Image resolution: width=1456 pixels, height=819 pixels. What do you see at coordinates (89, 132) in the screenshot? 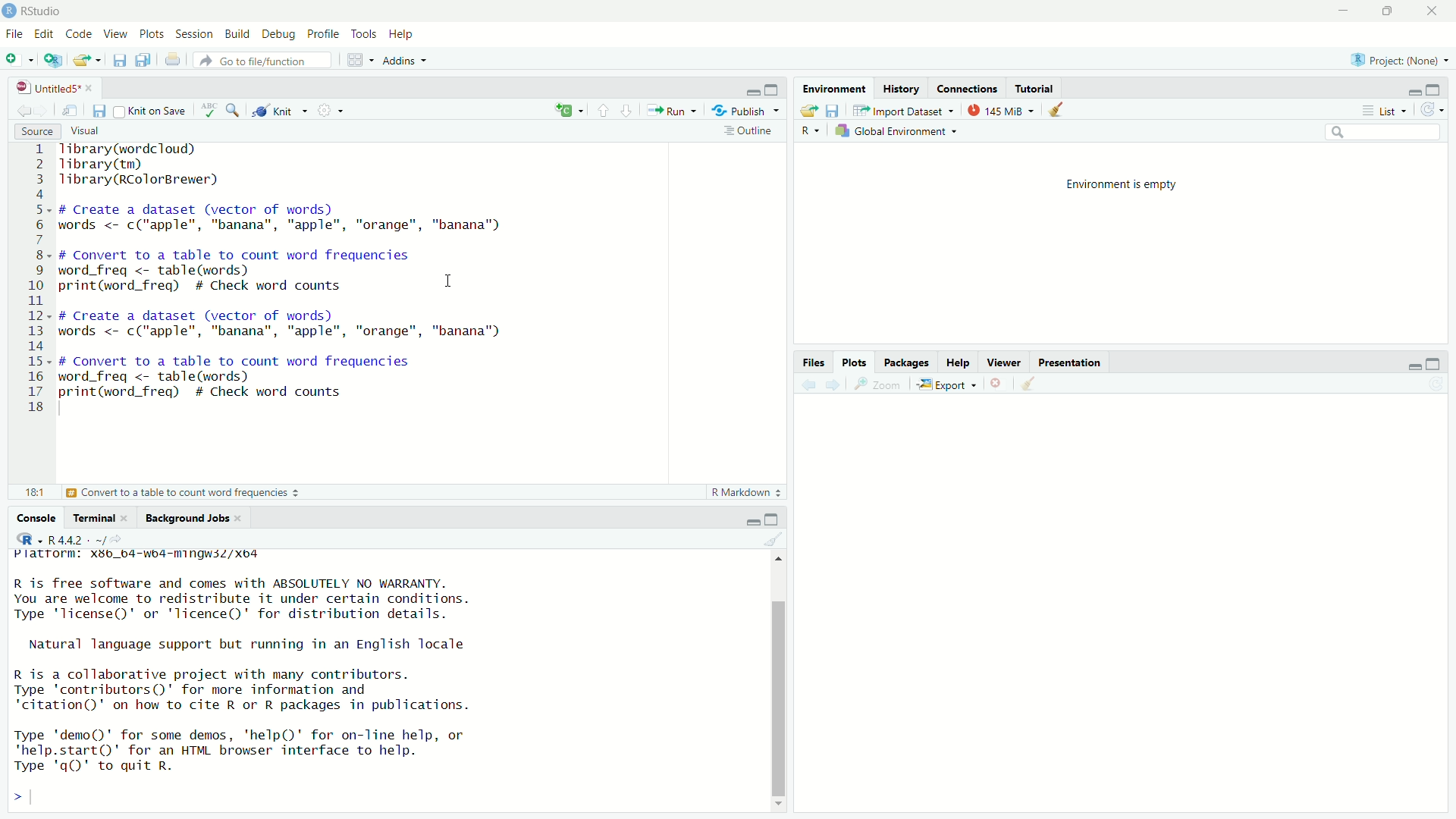
I see `Visual` at bounding box center [89, 132].